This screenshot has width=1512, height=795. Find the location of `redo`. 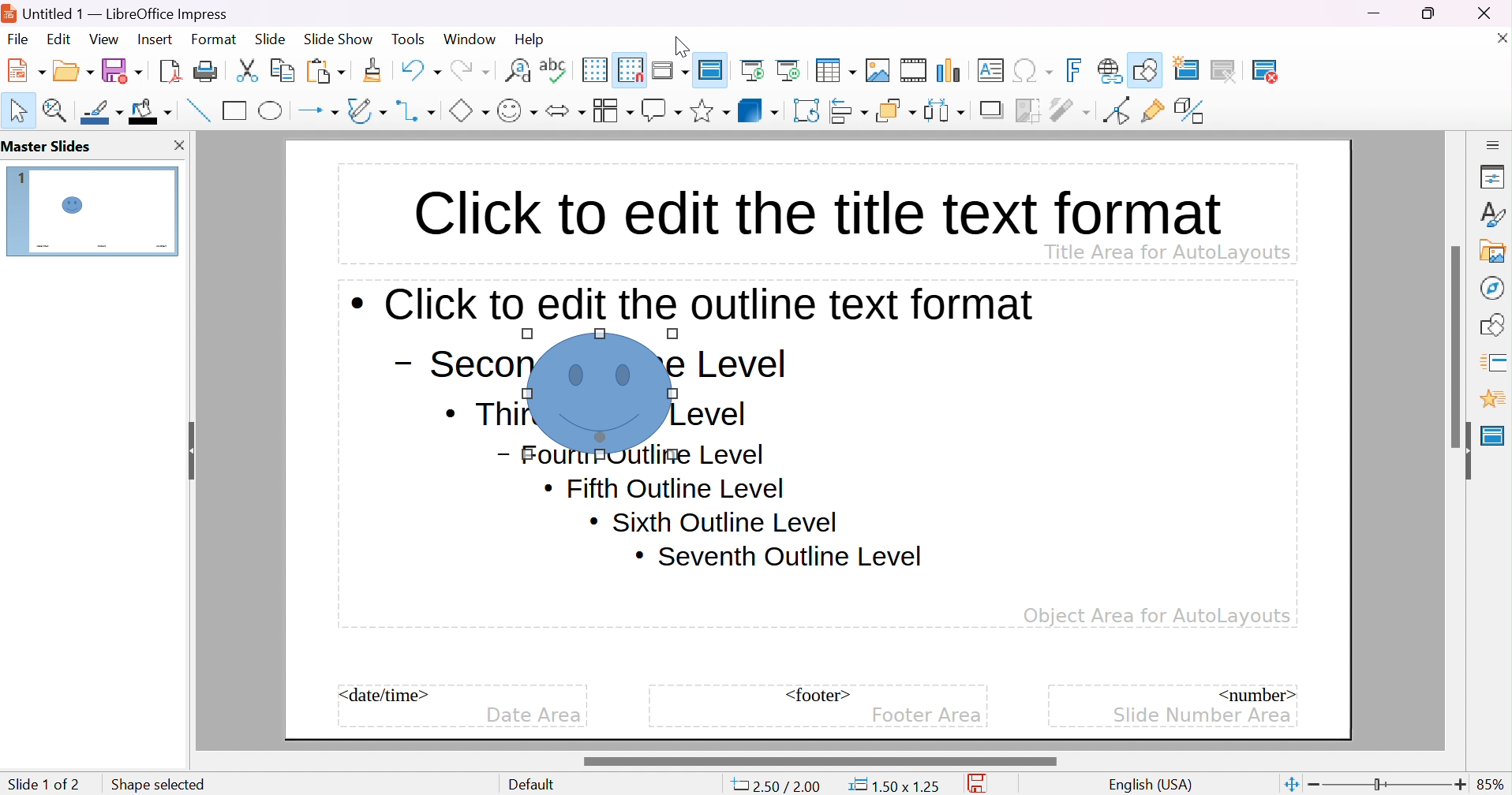

redo is located at coordinates (469, 68).